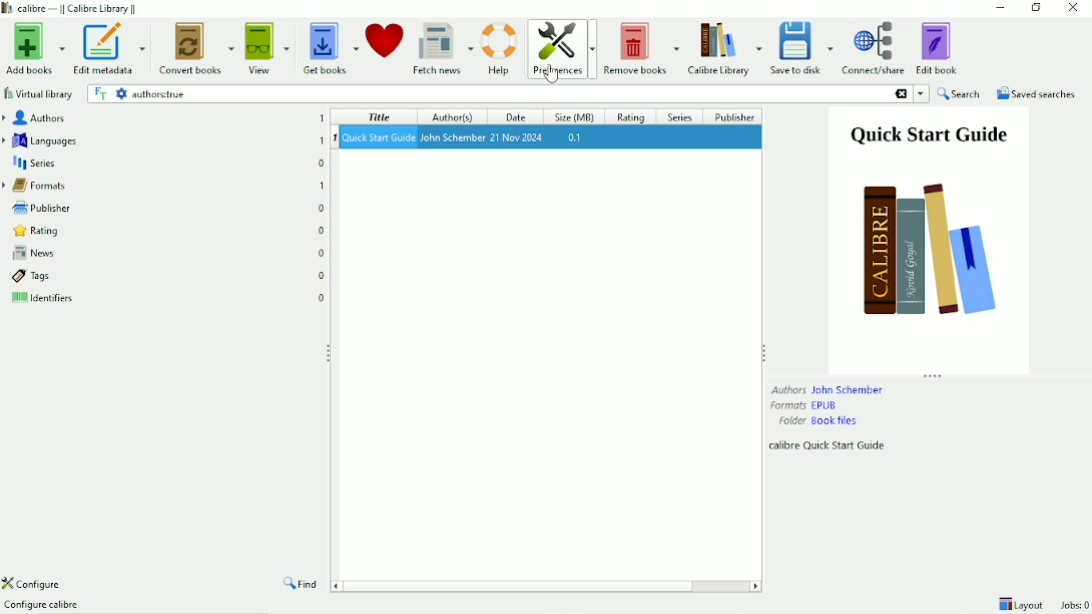 This screenshot has width=1092, height=614. I want to click on Convert books, so click(198, 47).